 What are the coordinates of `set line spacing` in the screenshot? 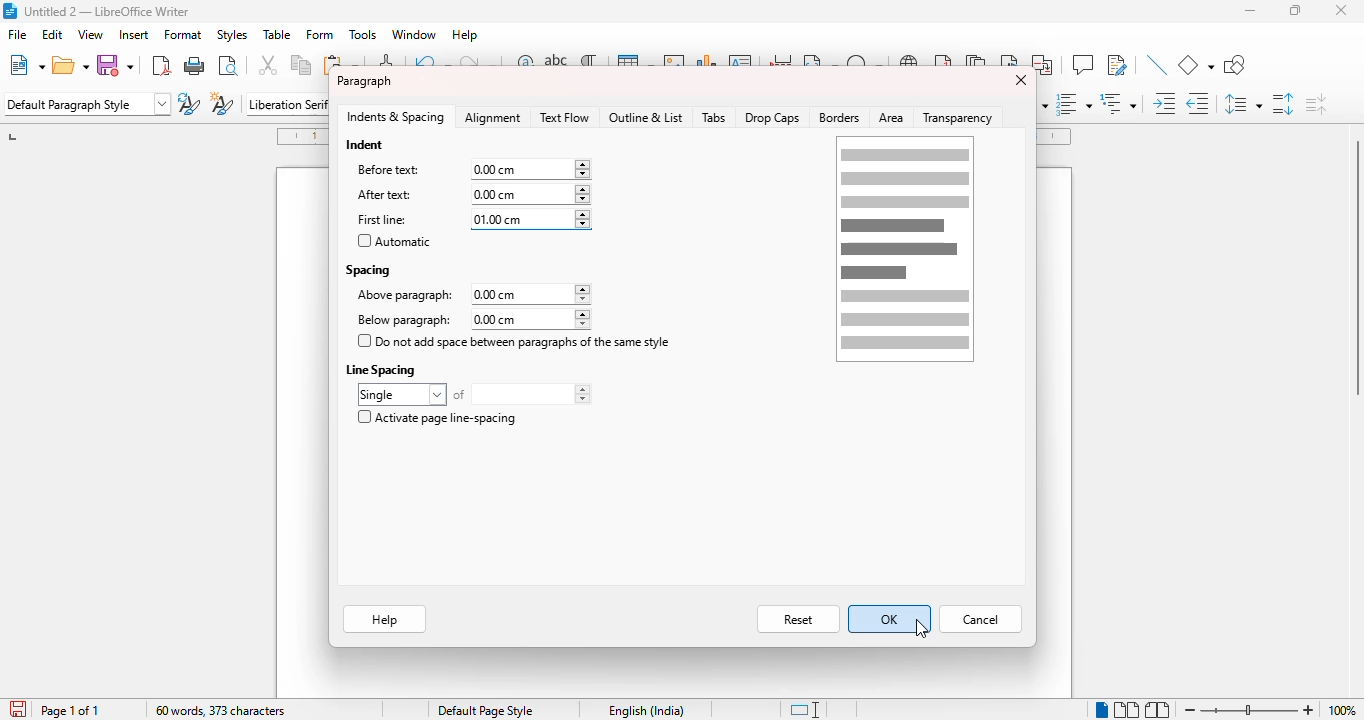 It's located at (1243, 104).